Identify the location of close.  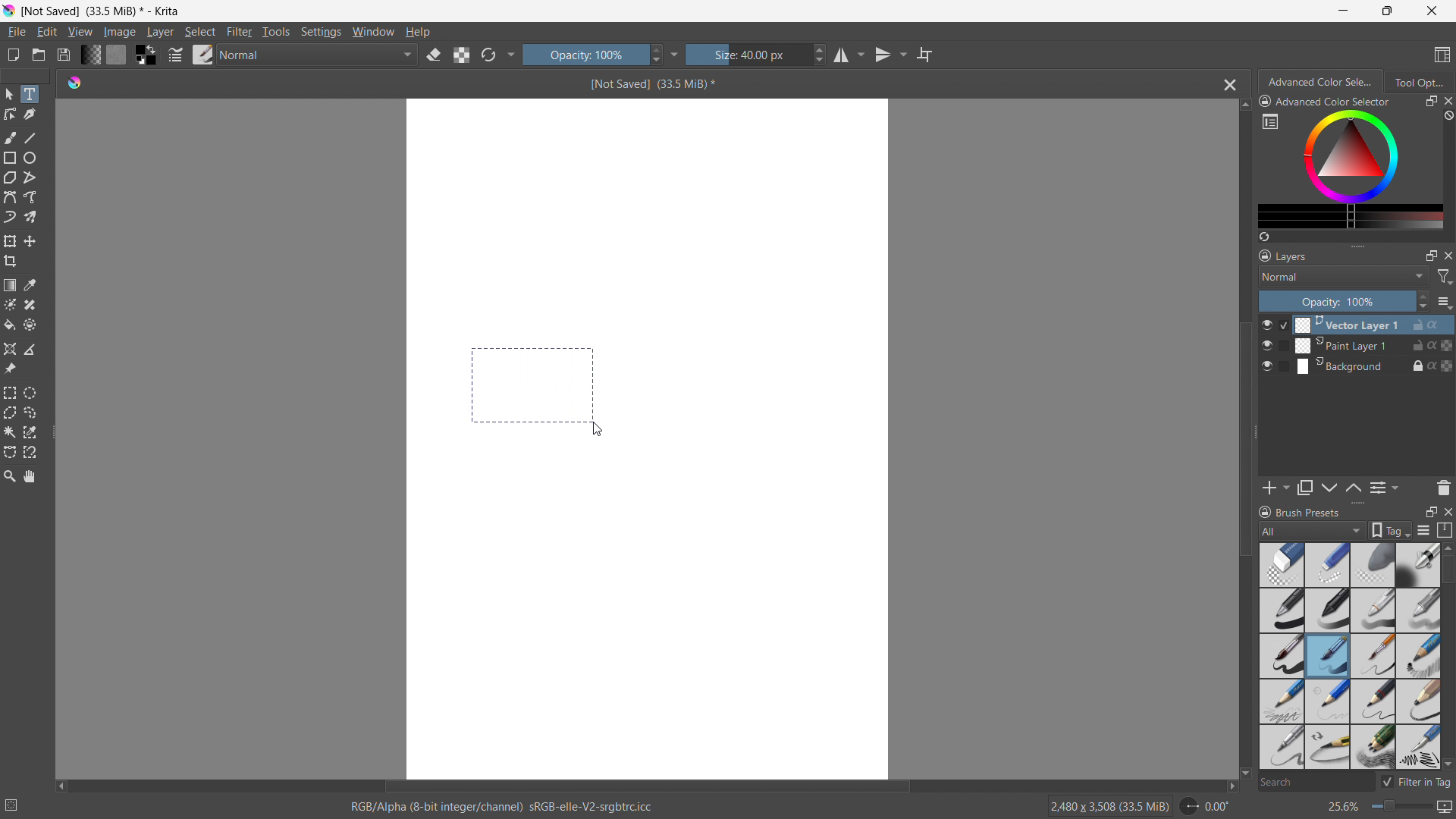
(1447, 101).